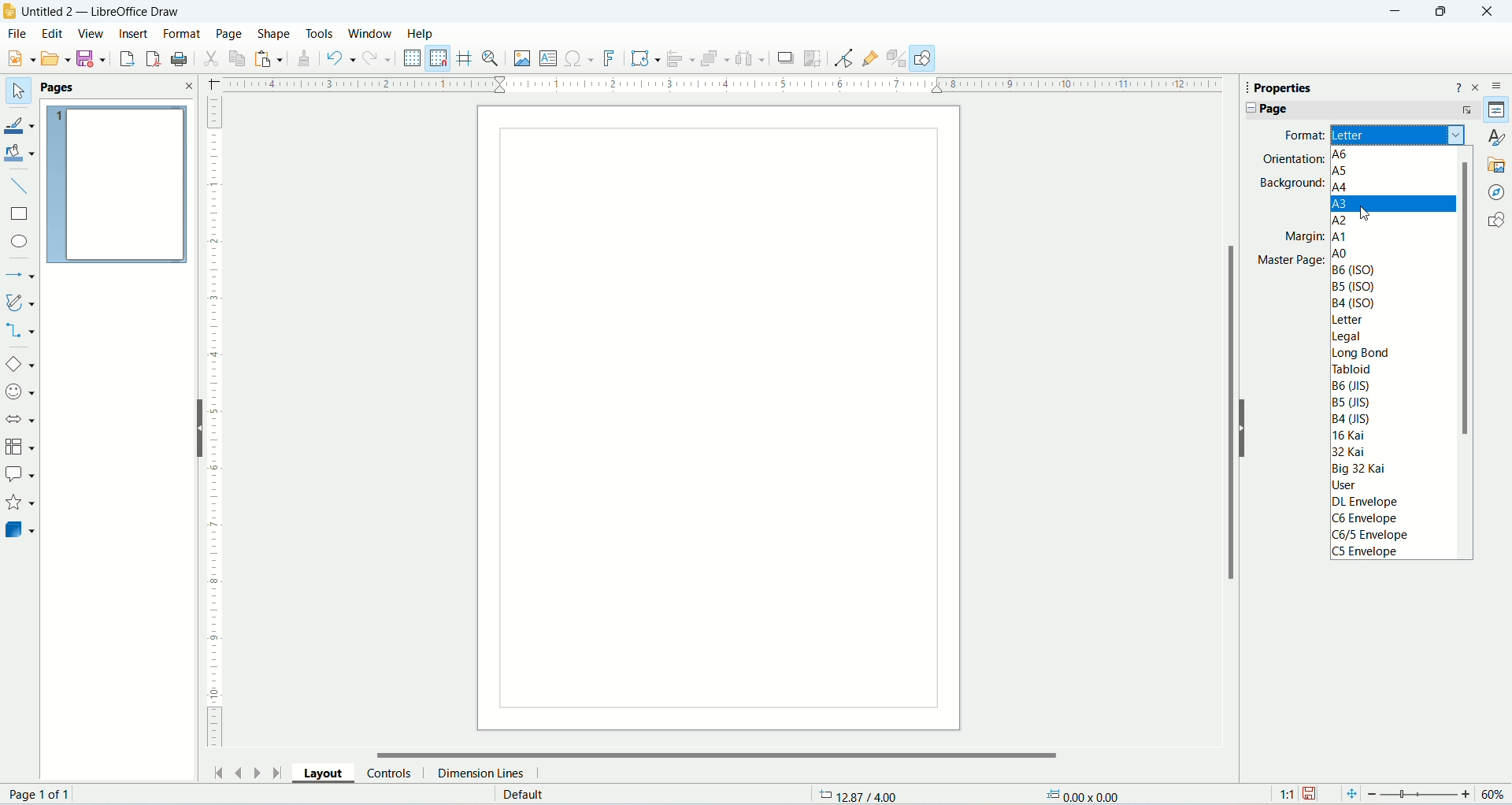  I want to click on , so click(56, 57).